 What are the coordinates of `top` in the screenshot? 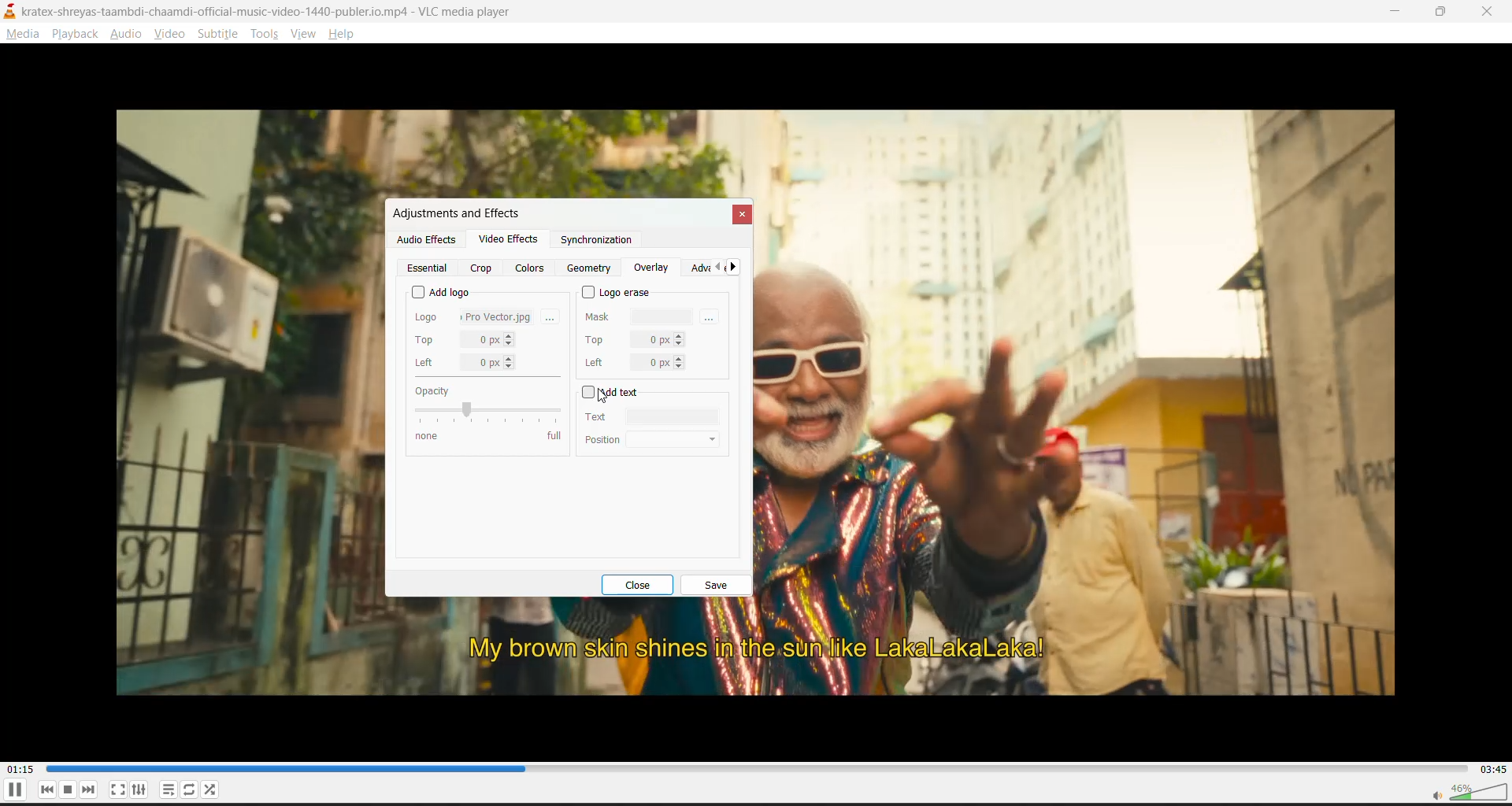 It's located at (465, 340).